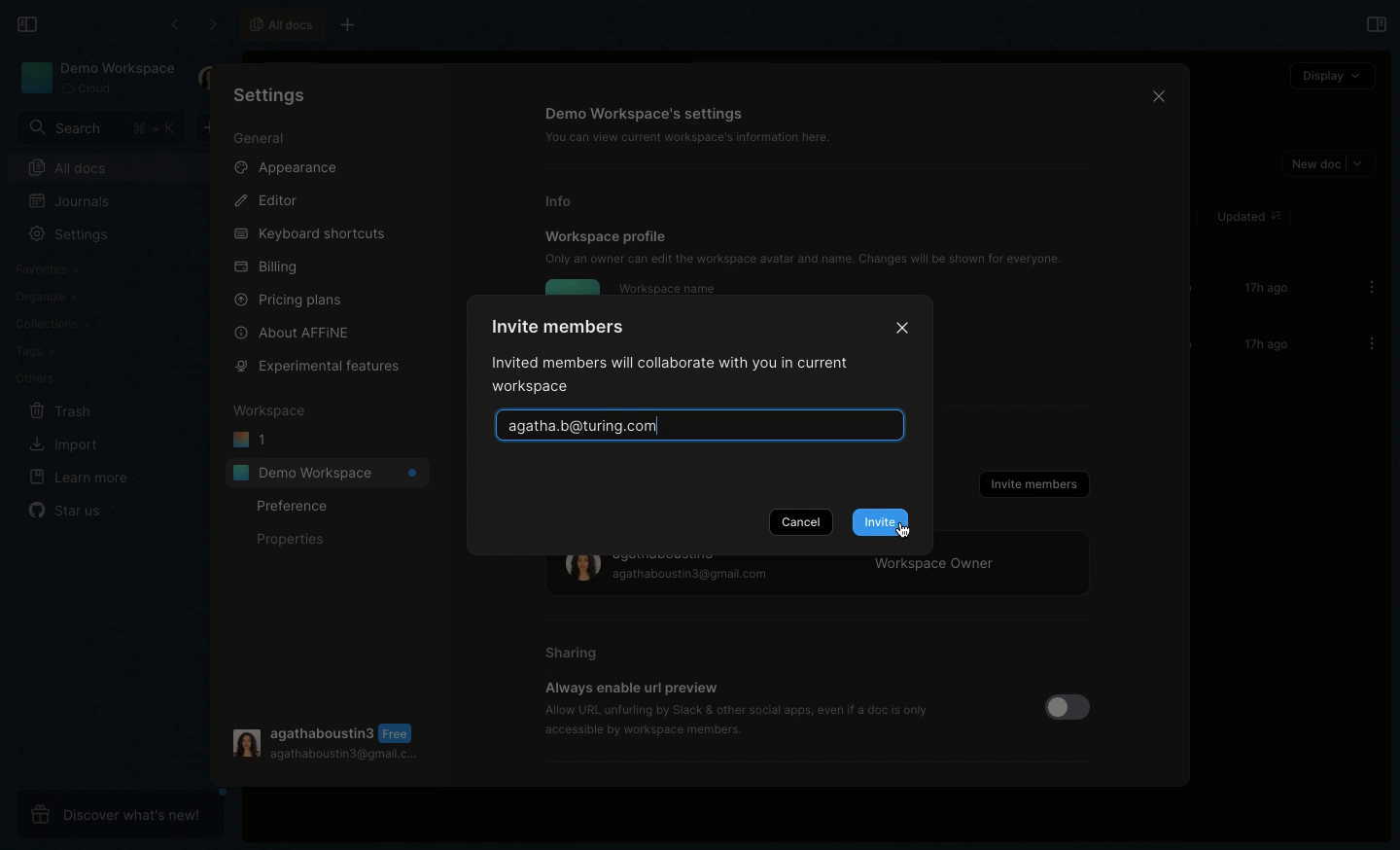 The height and width of the screenshot is (850, 1400). What do you see at coordinates (667, 288) in the screenshot?
I see `Workspace name` at bounding box center [667, 288].